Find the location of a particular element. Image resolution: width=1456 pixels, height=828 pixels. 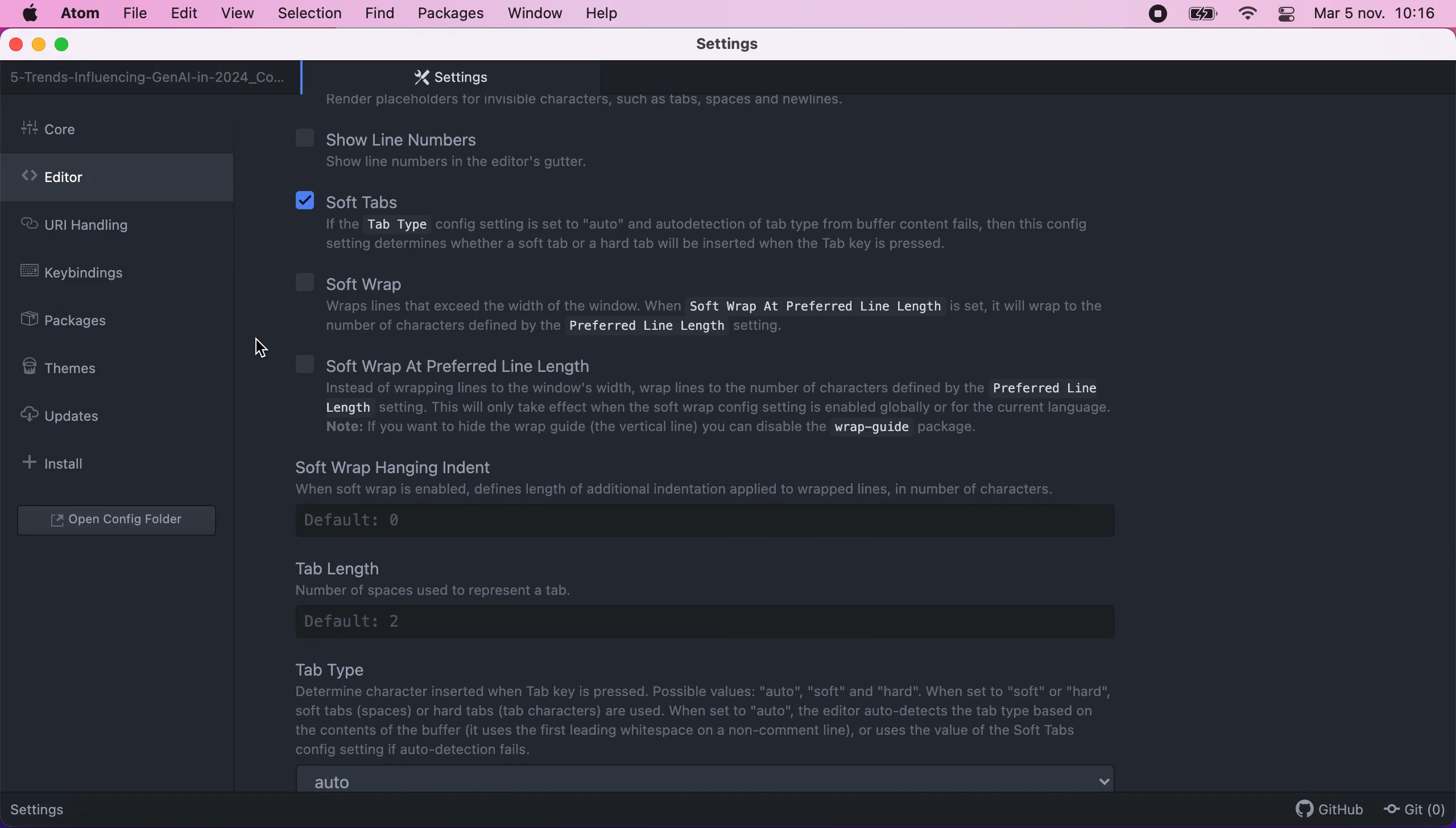

core is located at coordinates (120, 130).